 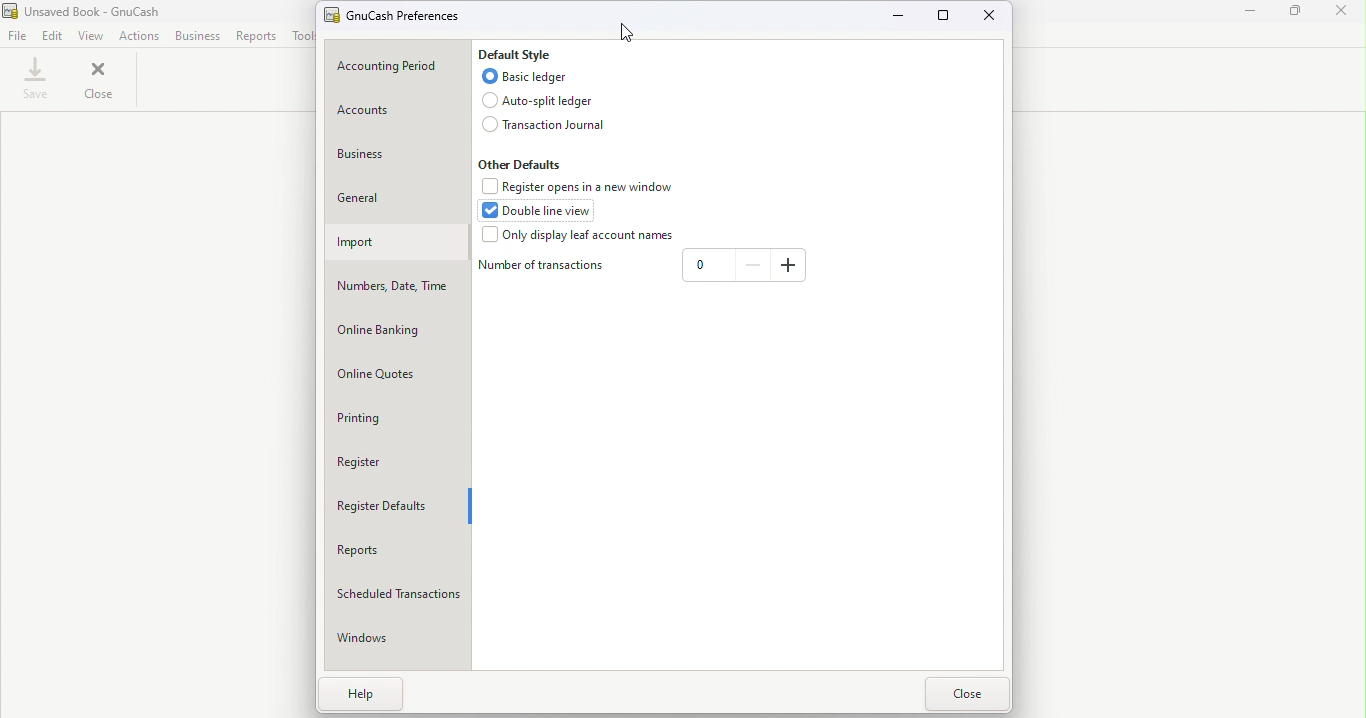 I want to click on Transaction journal, so click(x=543, y=123).